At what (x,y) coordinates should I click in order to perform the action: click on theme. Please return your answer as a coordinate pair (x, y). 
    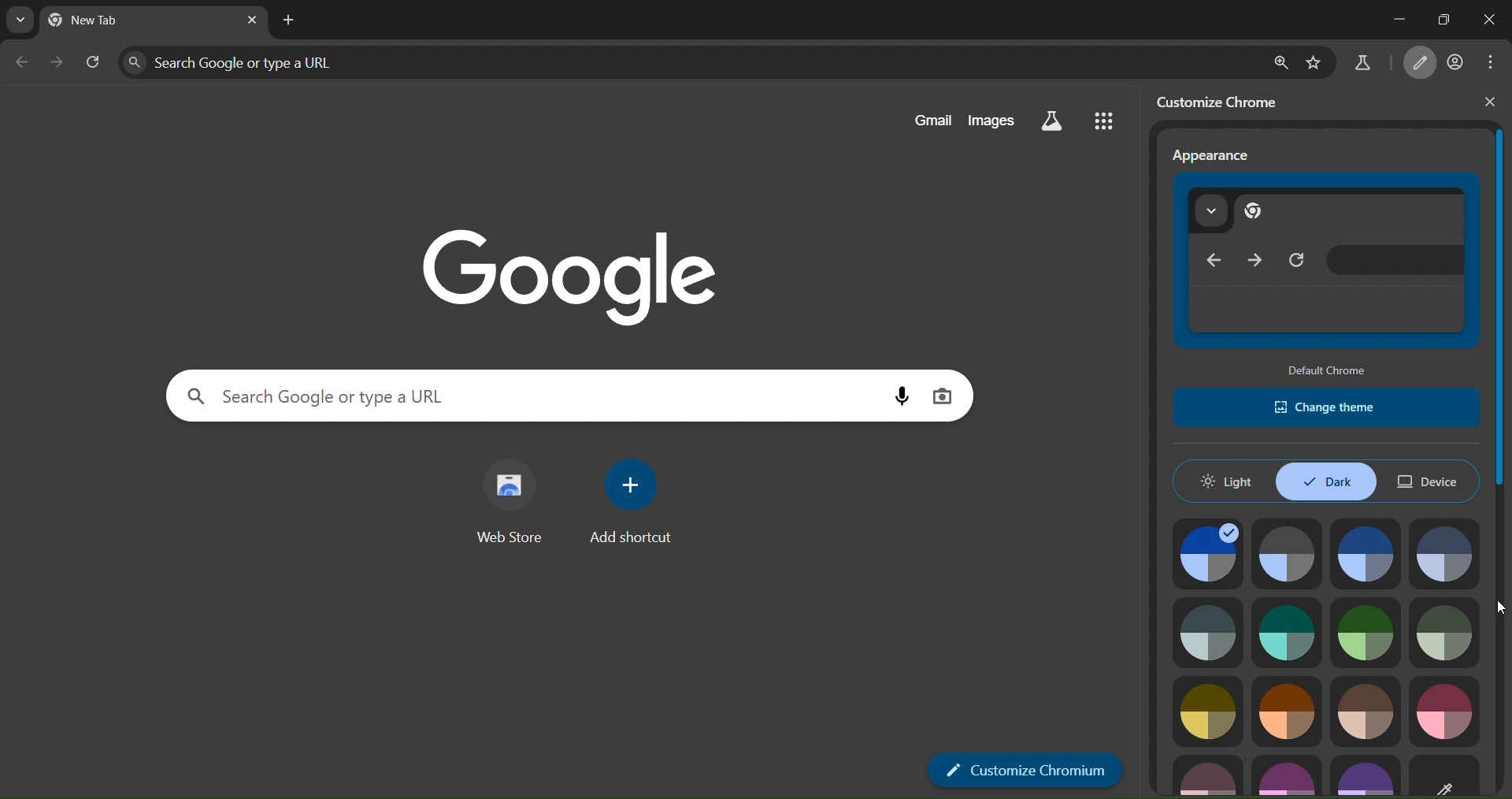
    Looking at the image, I should click on (1284, 628).